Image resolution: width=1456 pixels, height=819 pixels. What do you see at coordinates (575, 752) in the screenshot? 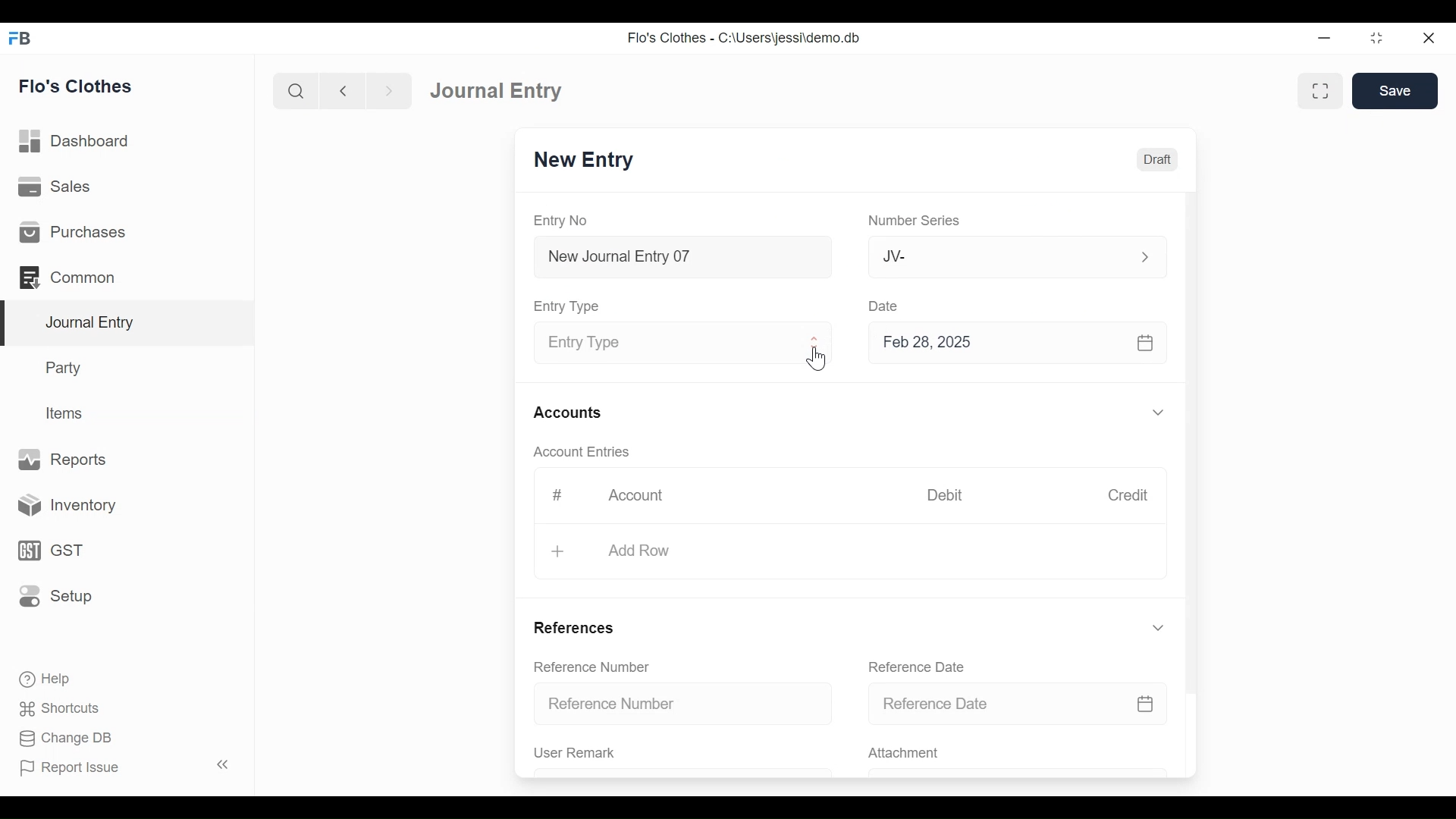
I see `User Remark` at bounding box center [575, 752].